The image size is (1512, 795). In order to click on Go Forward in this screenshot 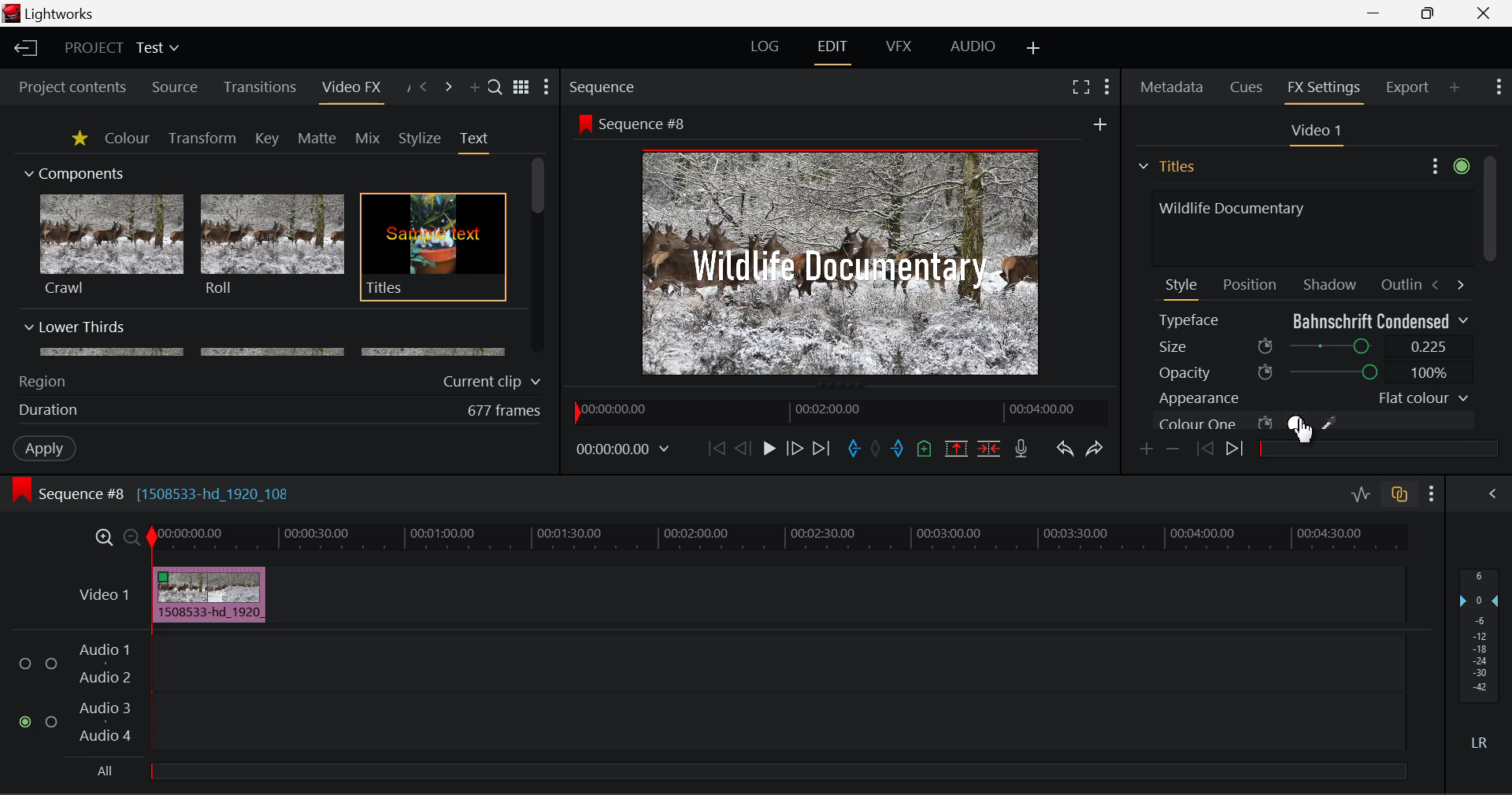, I will do `click(794, 449)`.